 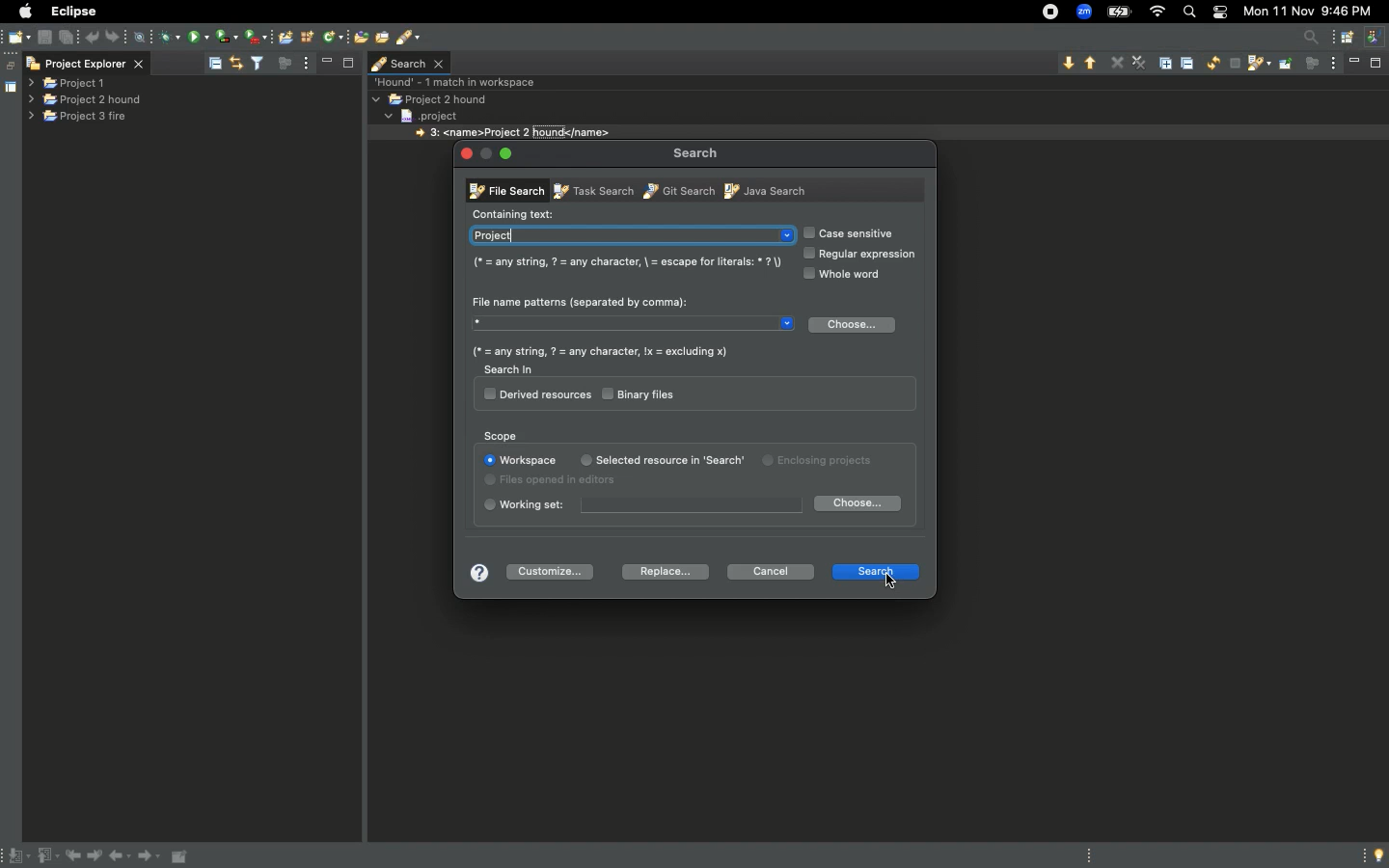 I want to click on Choose, so click(x=857, y=502).